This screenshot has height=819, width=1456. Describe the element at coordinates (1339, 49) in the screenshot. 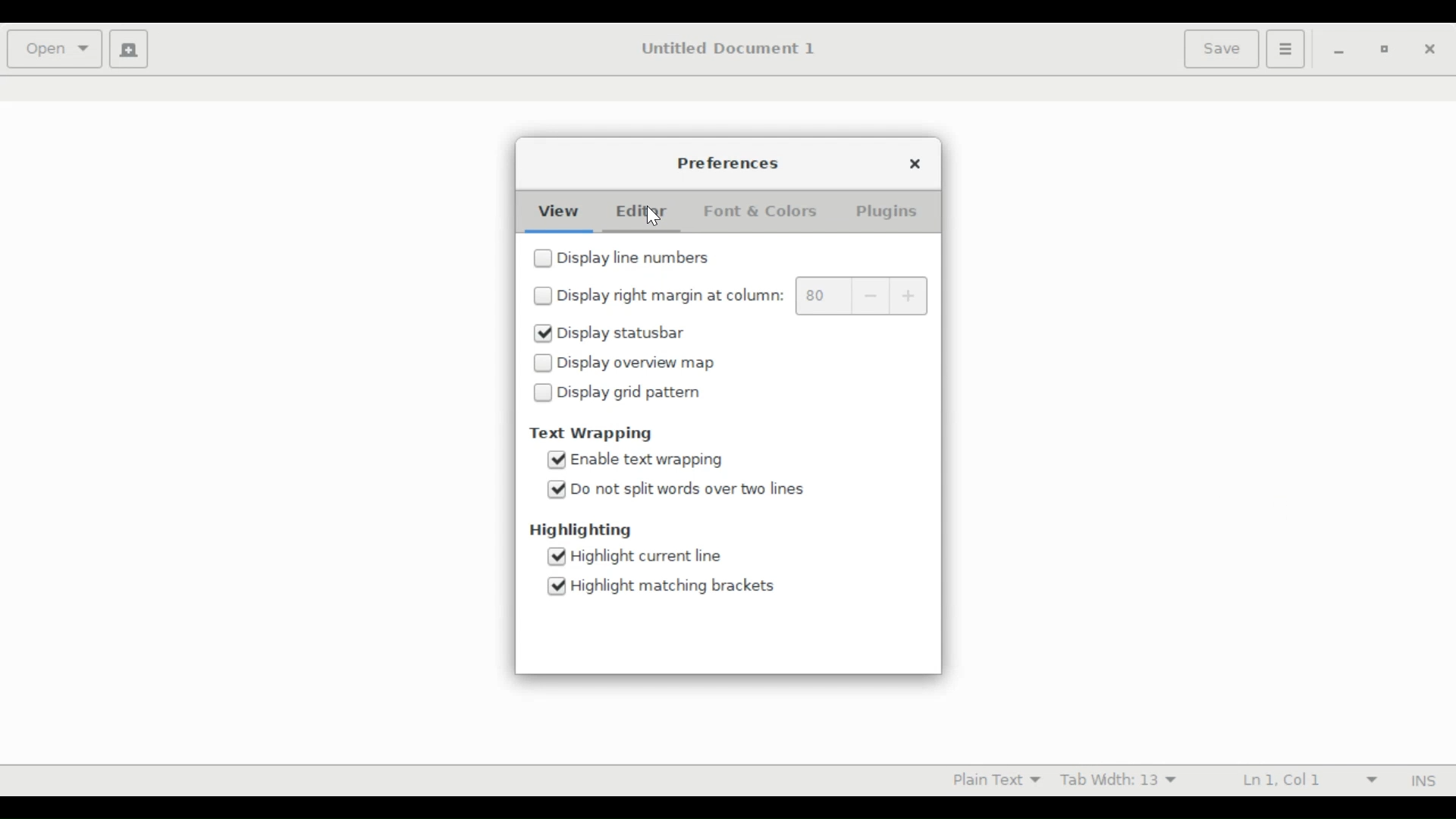

I see `minimize` at that location.